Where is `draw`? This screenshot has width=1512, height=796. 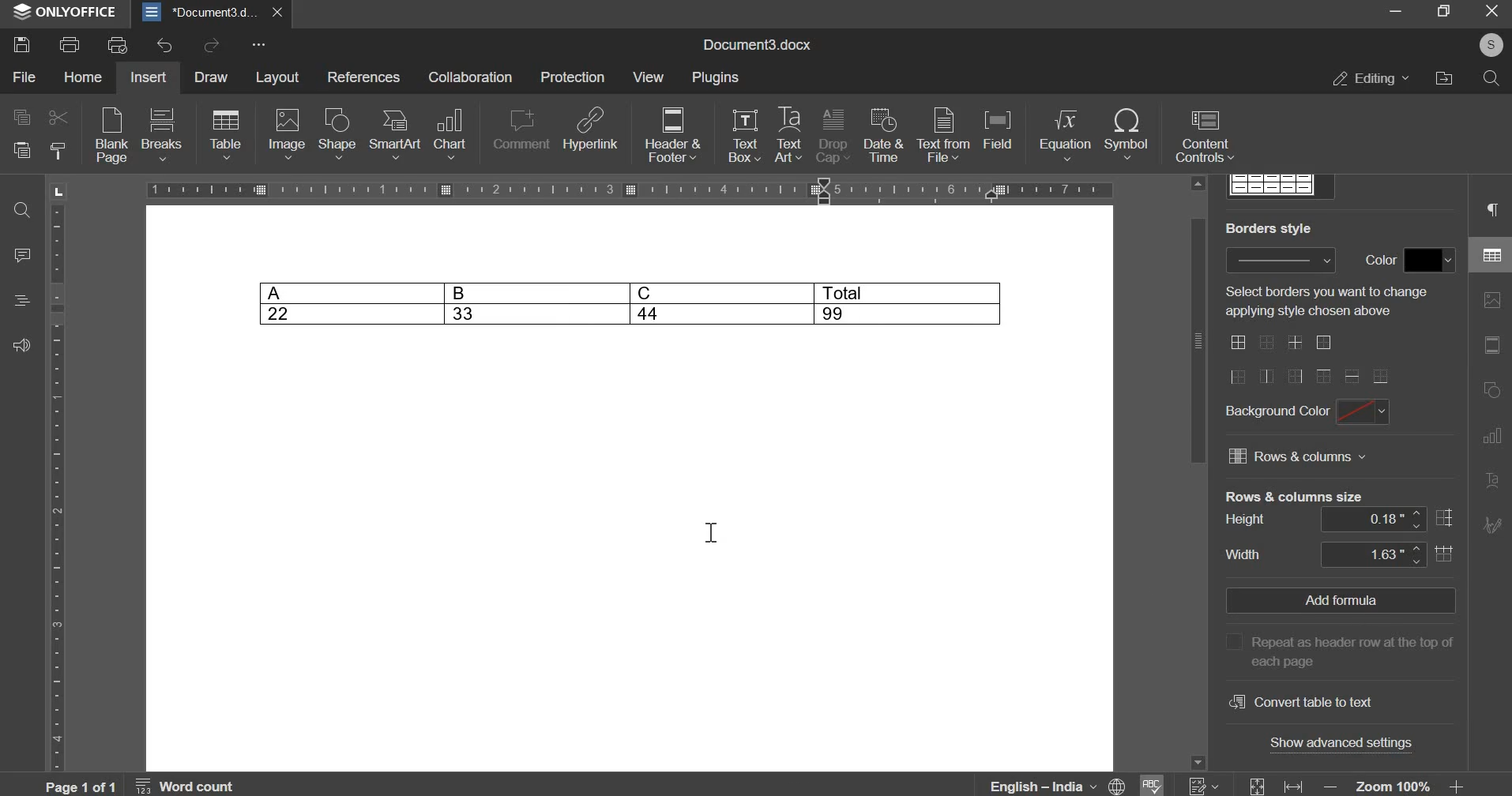
draw is located at coordinates (212, 77).